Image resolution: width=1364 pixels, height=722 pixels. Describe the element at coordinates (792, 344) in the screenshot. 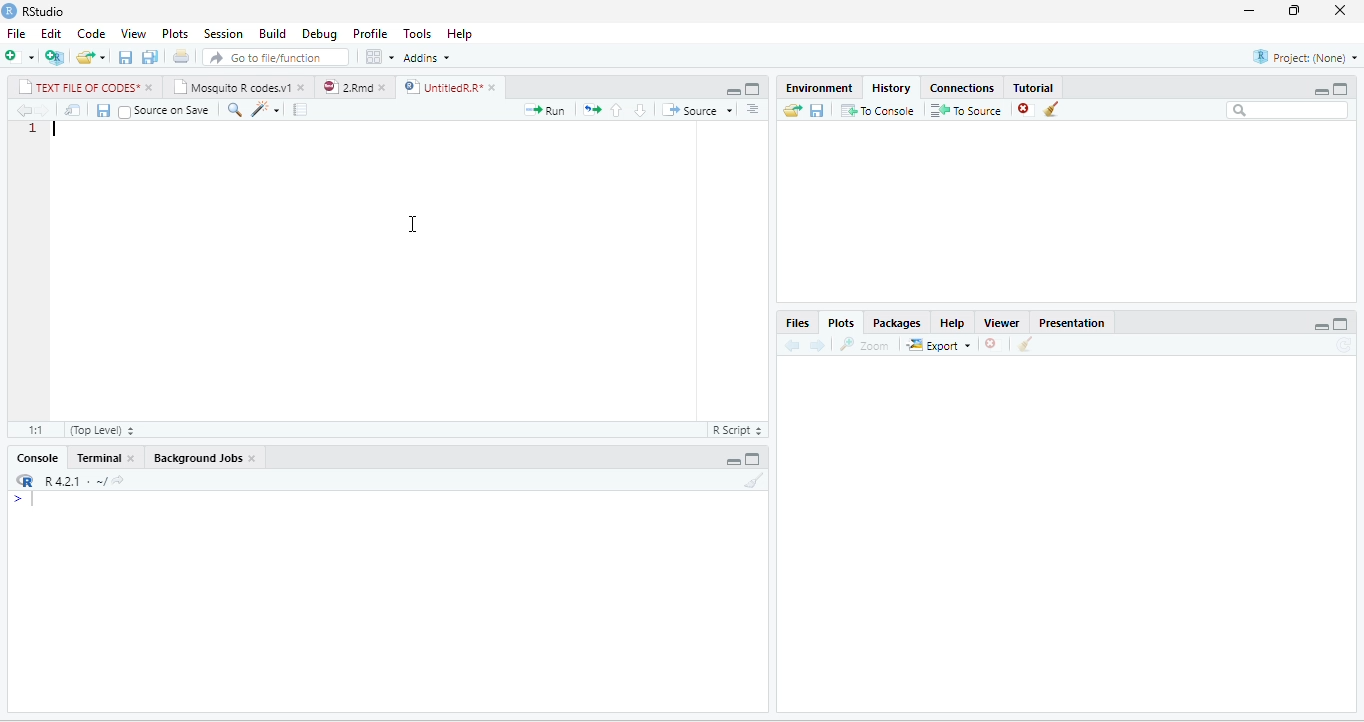

I see `back` at that location.